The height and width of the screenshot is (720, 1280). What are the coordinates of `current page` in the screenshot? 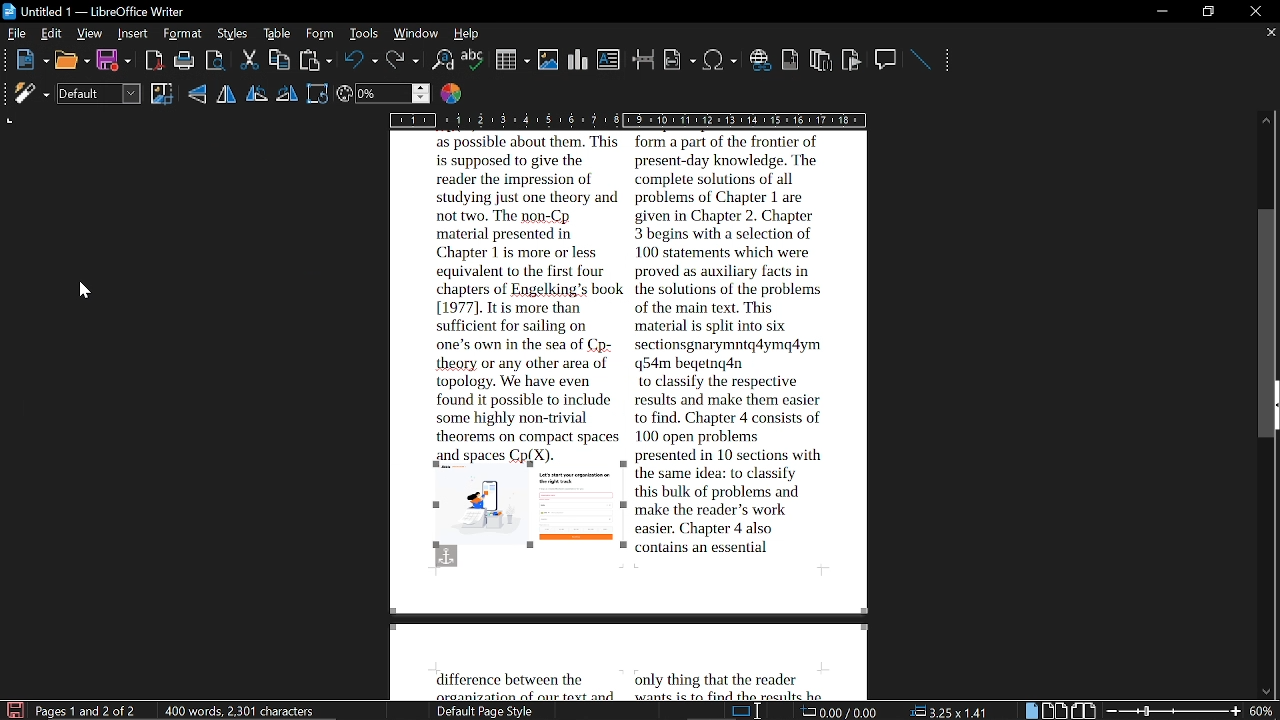 It's located at (89, 709).